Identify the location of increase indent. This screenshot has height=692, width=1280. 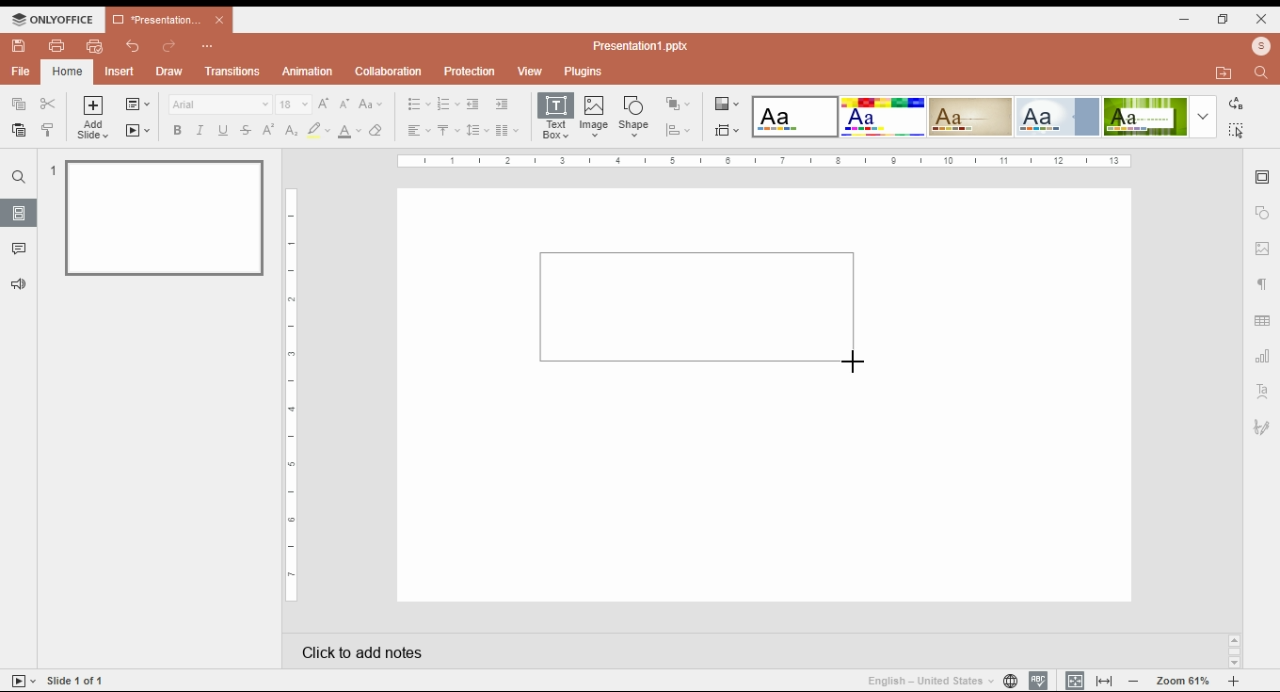
(501, 104).